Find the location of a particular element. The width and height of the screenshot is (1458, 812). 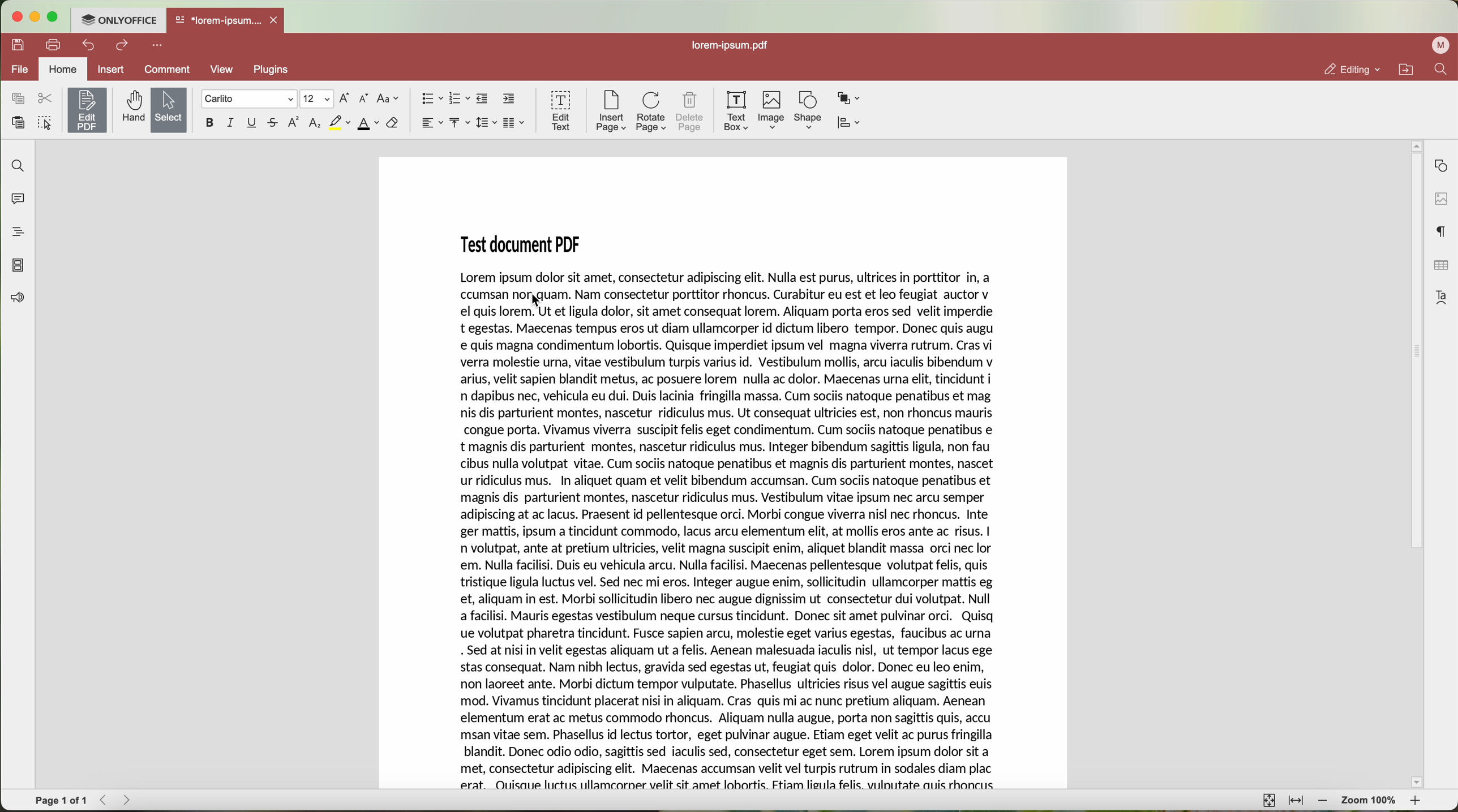

image settings is located at coordinates (1440, 199).